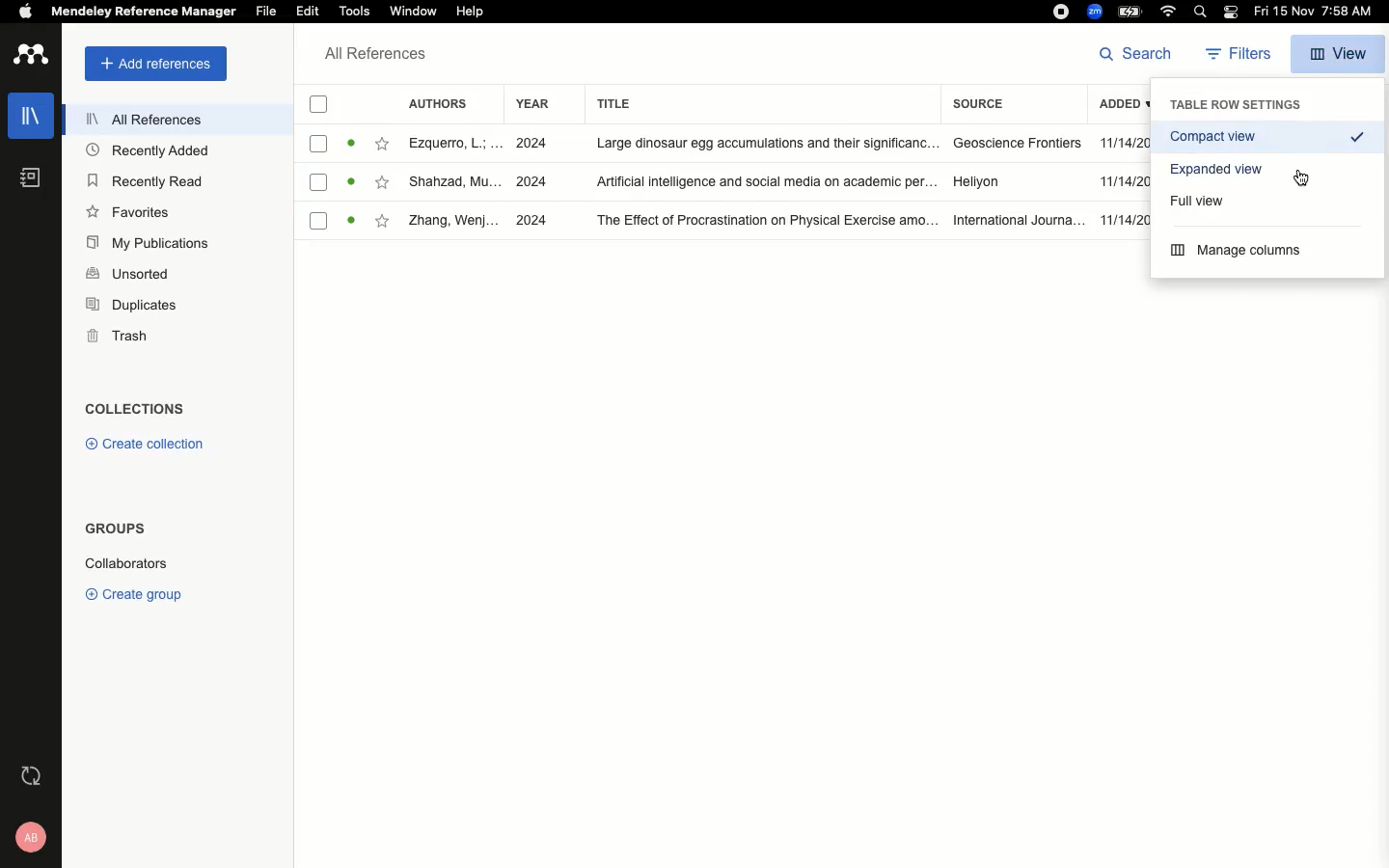 The width and height of the screenshot is (1389, 868). What do you see at coordinates (147, 152) in the screenshot?
I see `Recently added` at bounding box center [147, 152].